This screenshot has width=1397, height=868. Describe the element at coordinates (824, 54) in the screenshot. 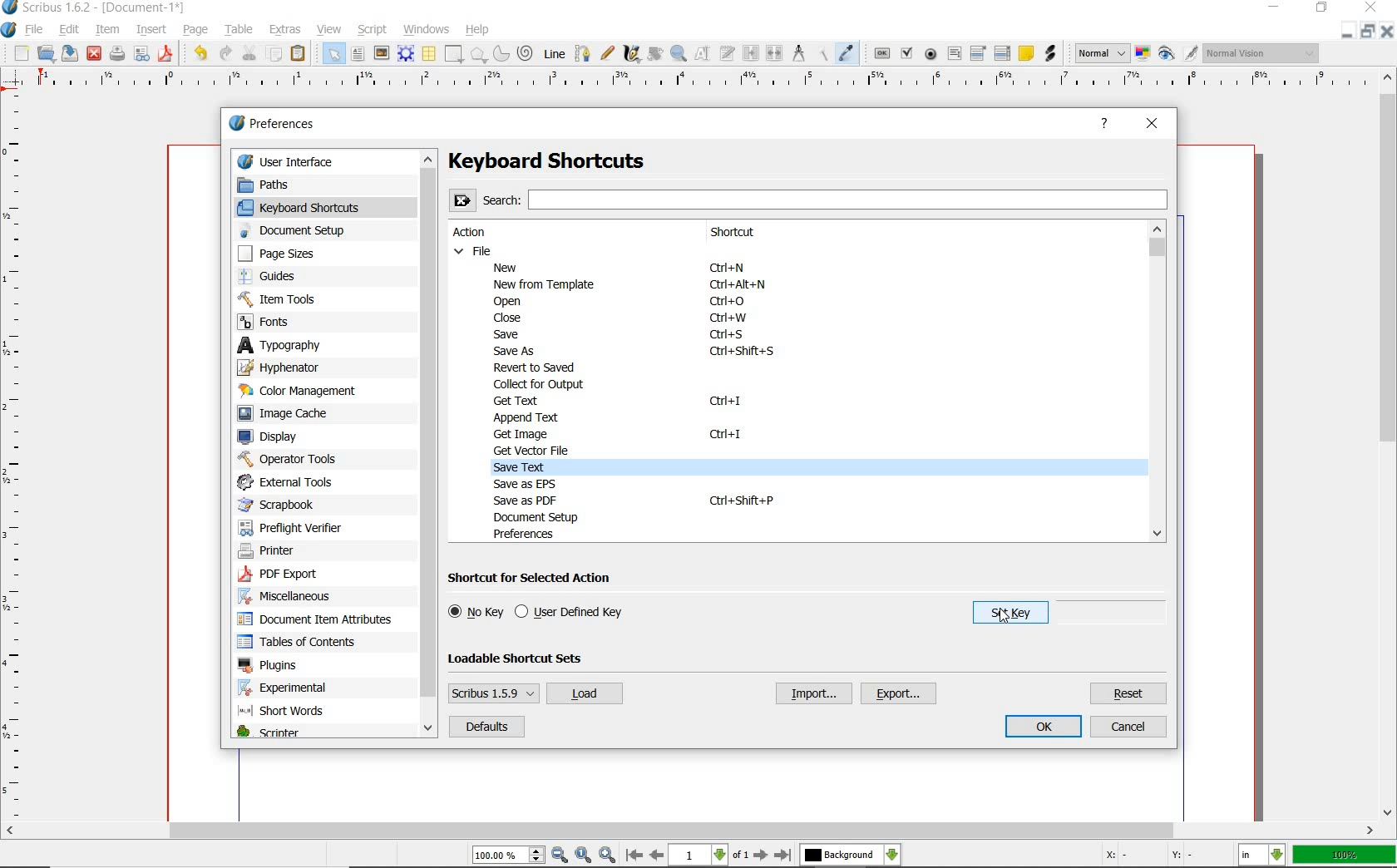

I see `copy item properties` at that location.